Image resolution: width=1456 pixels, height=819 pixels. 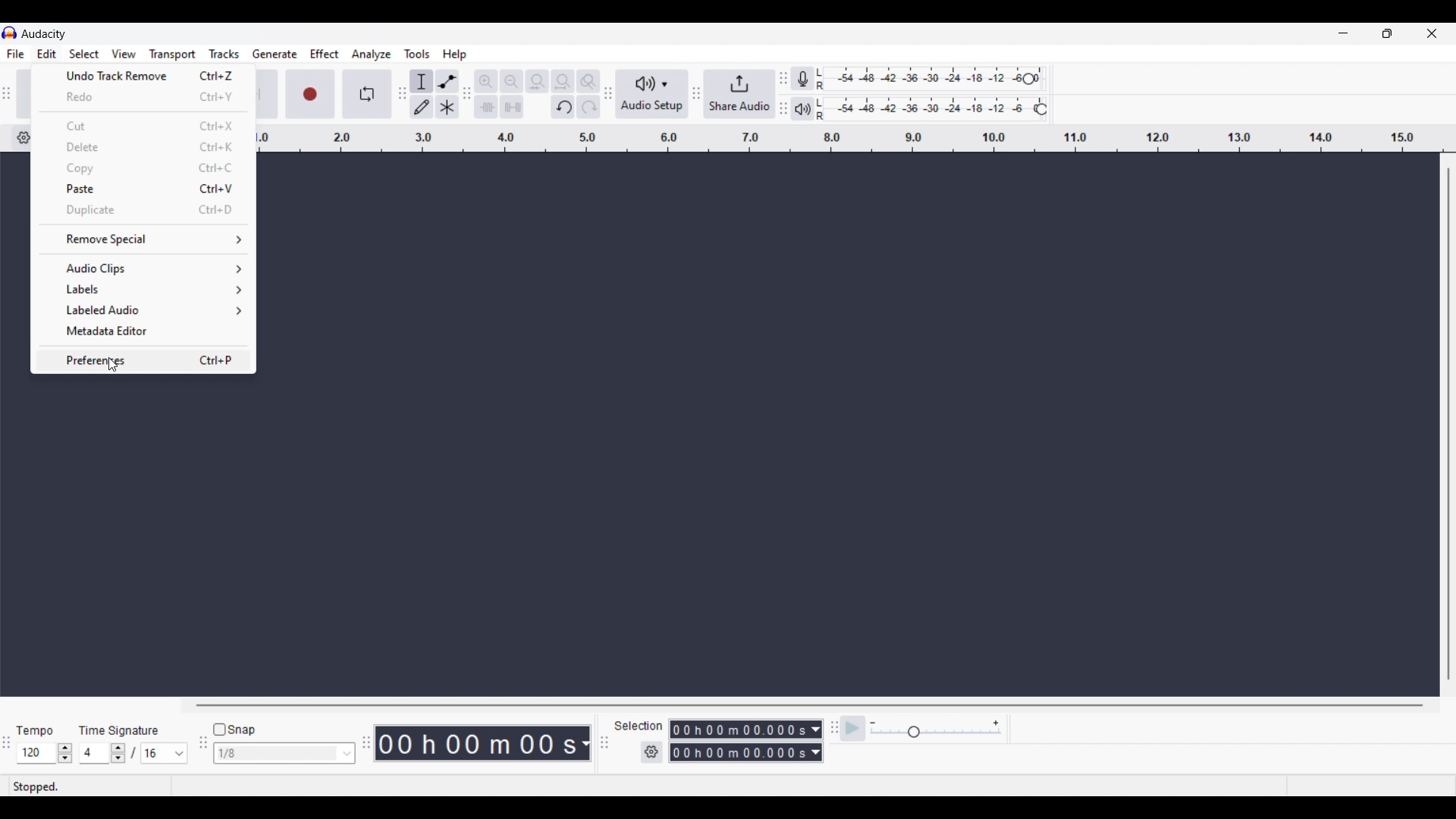 What do you see at coordinates (15, 54) in the screenshot?
I see `File menu` at bounding box center [15, 54].